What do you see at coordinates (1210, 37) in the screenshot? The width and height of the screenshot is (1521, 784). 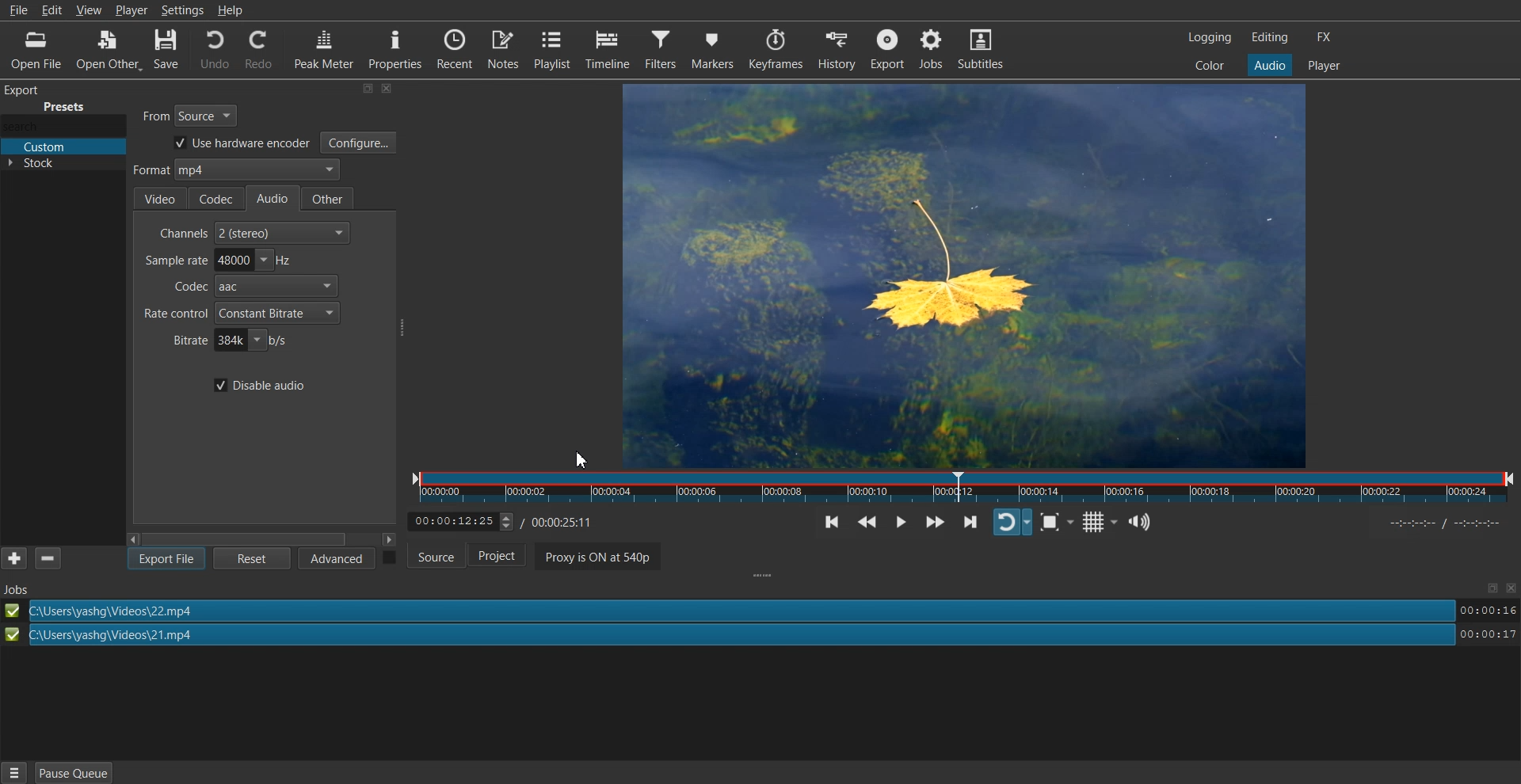 I see `Logging` at bounding box center [1210, 37].